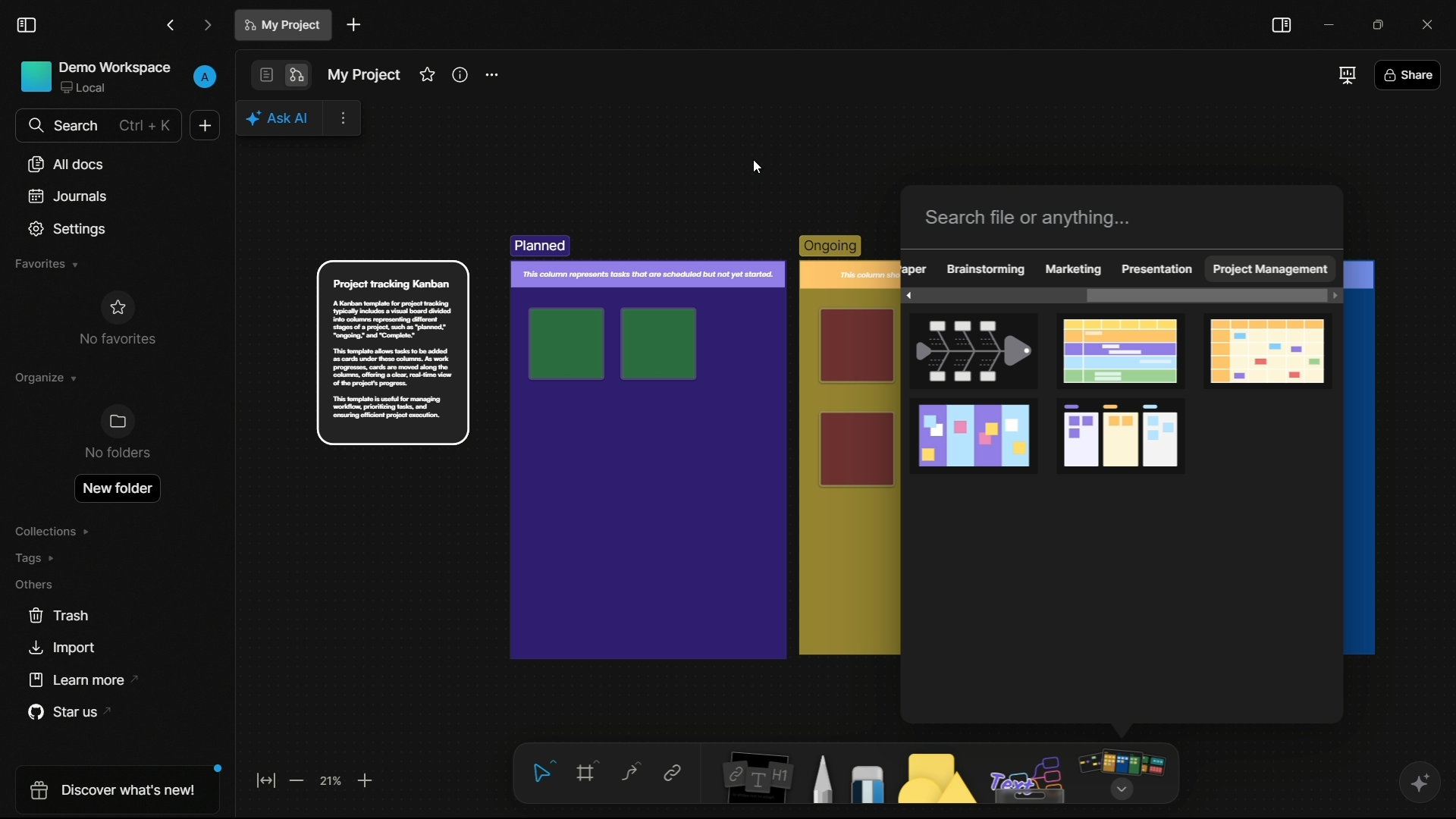 The height and width of the screenshot is (819, 1456). Describe the element at coordinates (45, 264) in the screenshot. I see `favorites` at that location.